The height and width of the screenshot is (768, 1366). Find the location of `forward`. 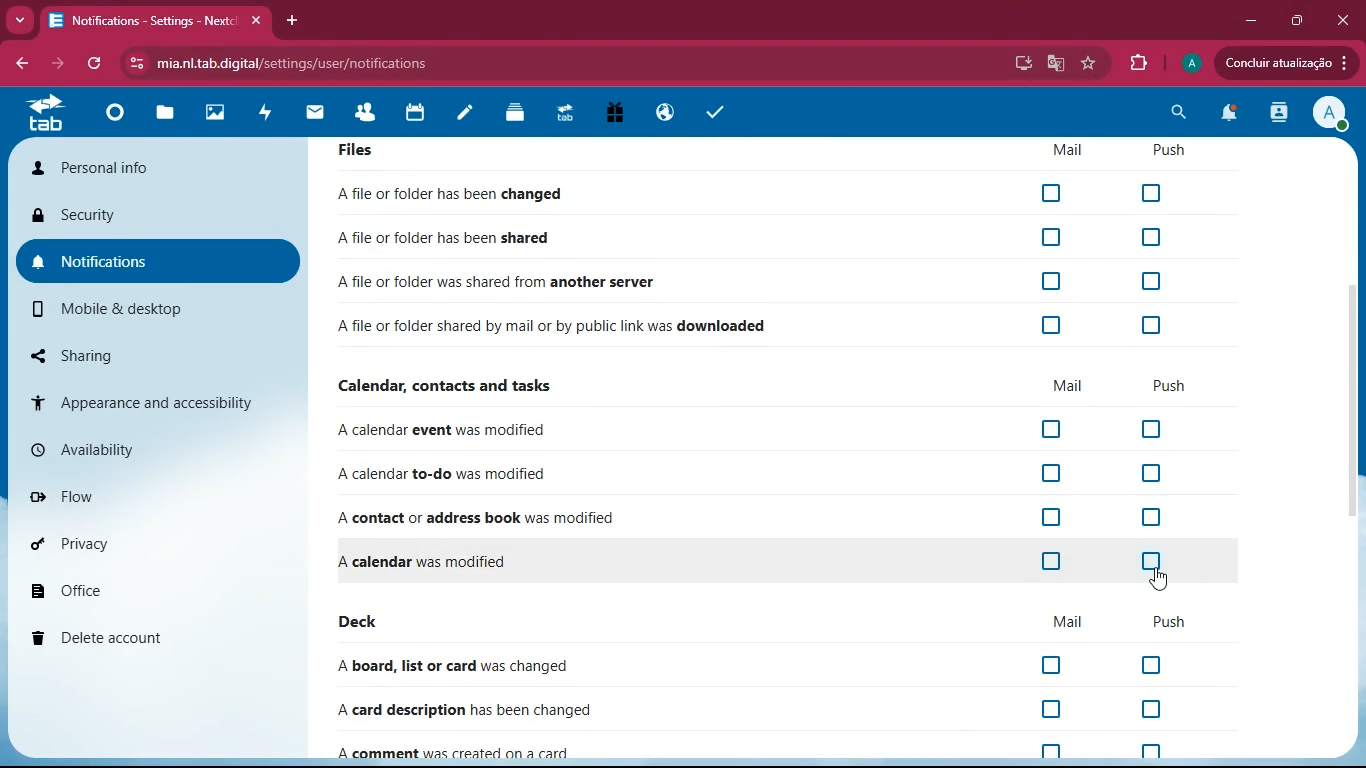

forward is located at coordinates (55, 62).